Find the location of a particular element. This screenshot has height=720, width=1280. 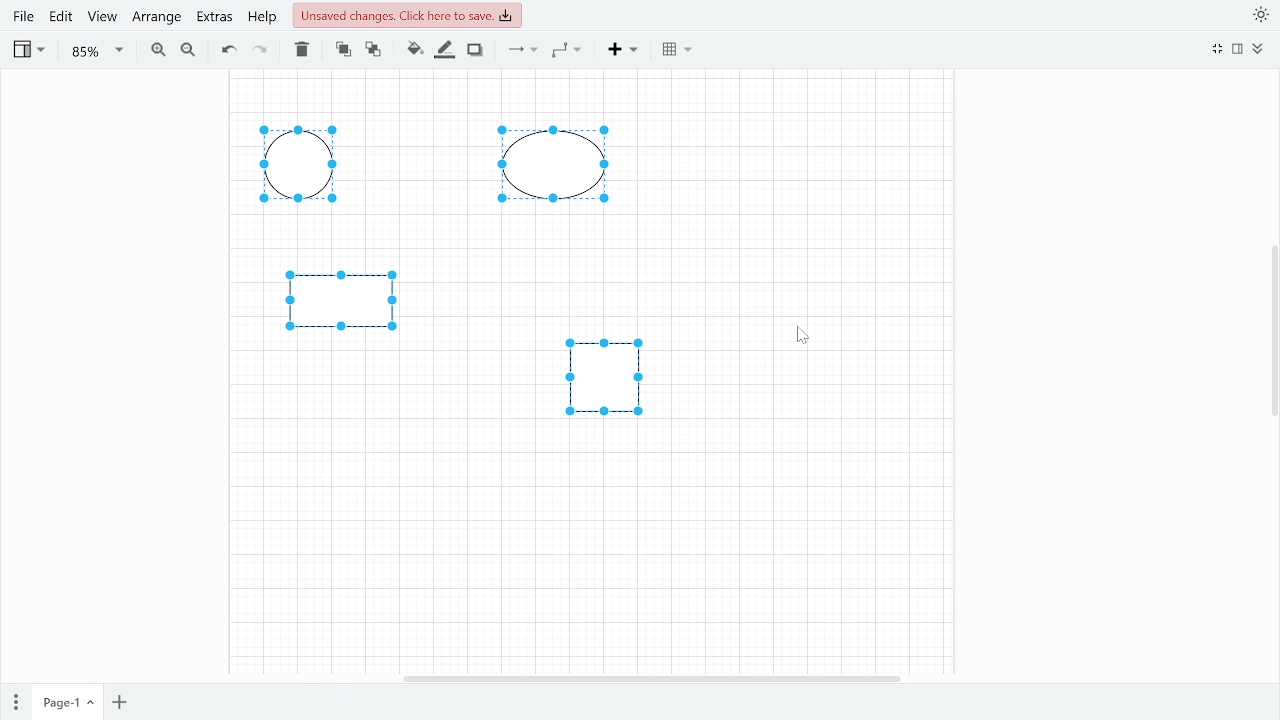

Table is located at coordinates (679, 50).